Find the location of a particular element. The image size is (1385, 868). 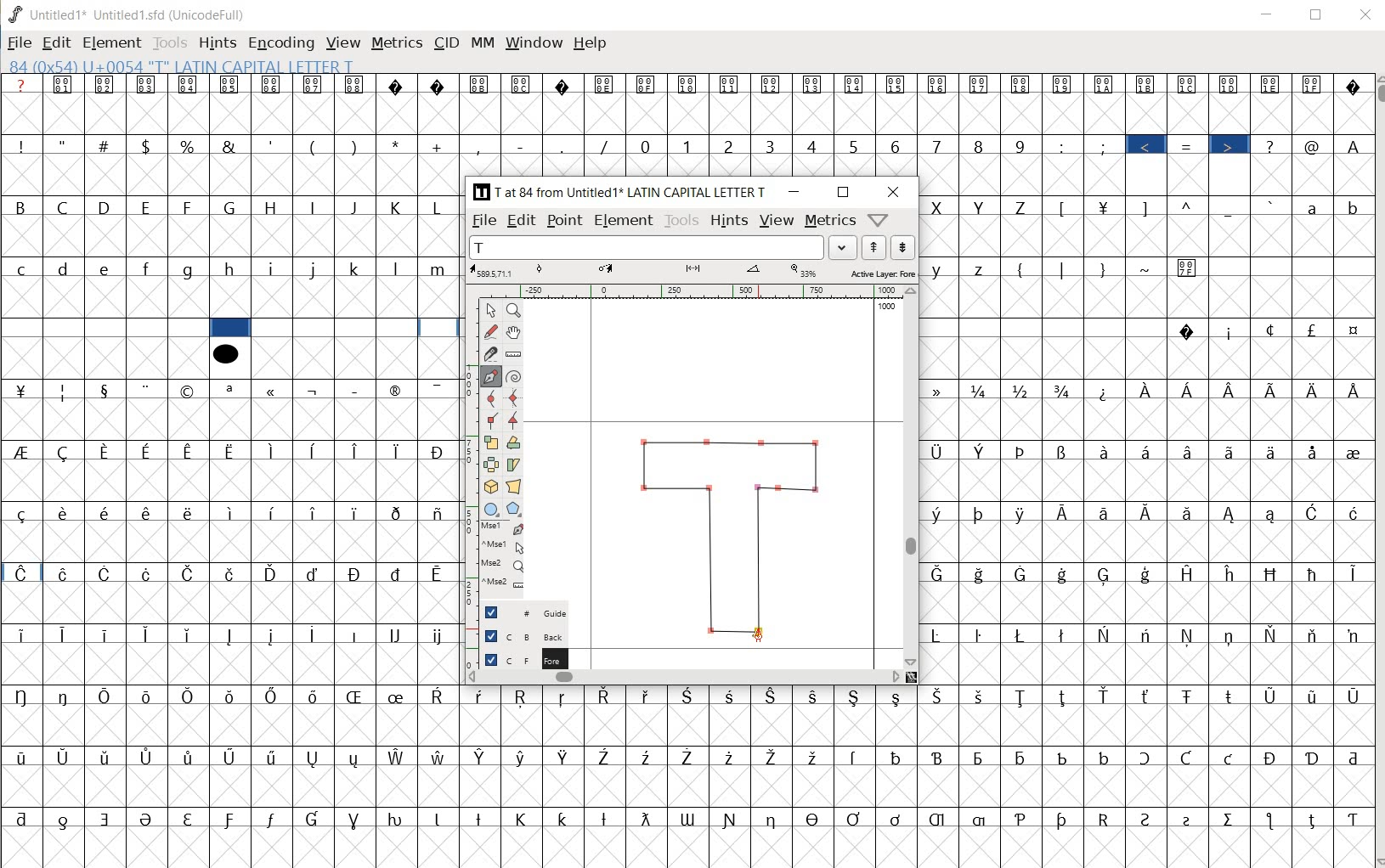

Symbol is located at coordinates (815, 817).